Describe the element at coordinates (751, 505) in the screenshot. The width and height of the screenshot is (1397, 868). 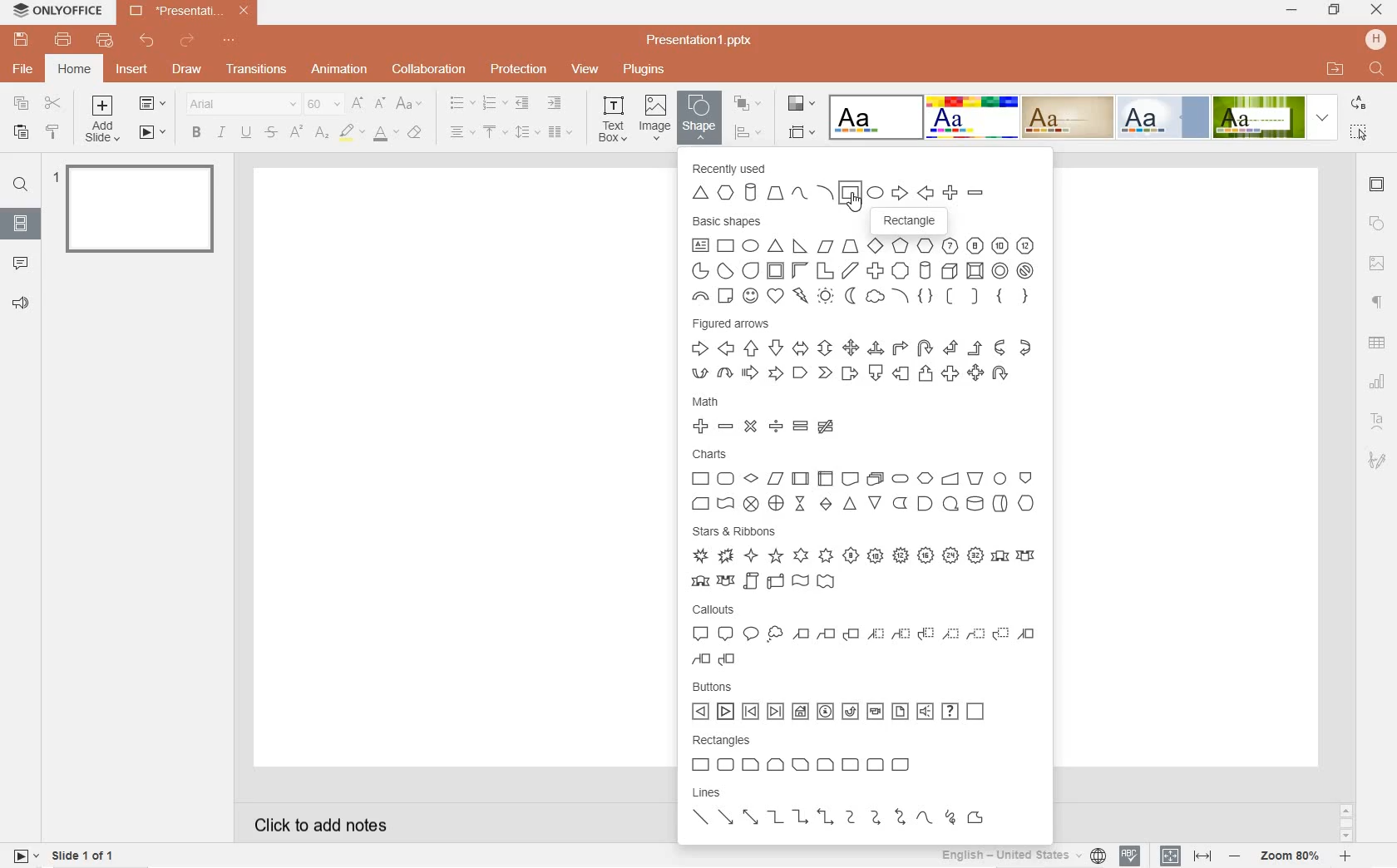
I see `Summing Junction` at that location.